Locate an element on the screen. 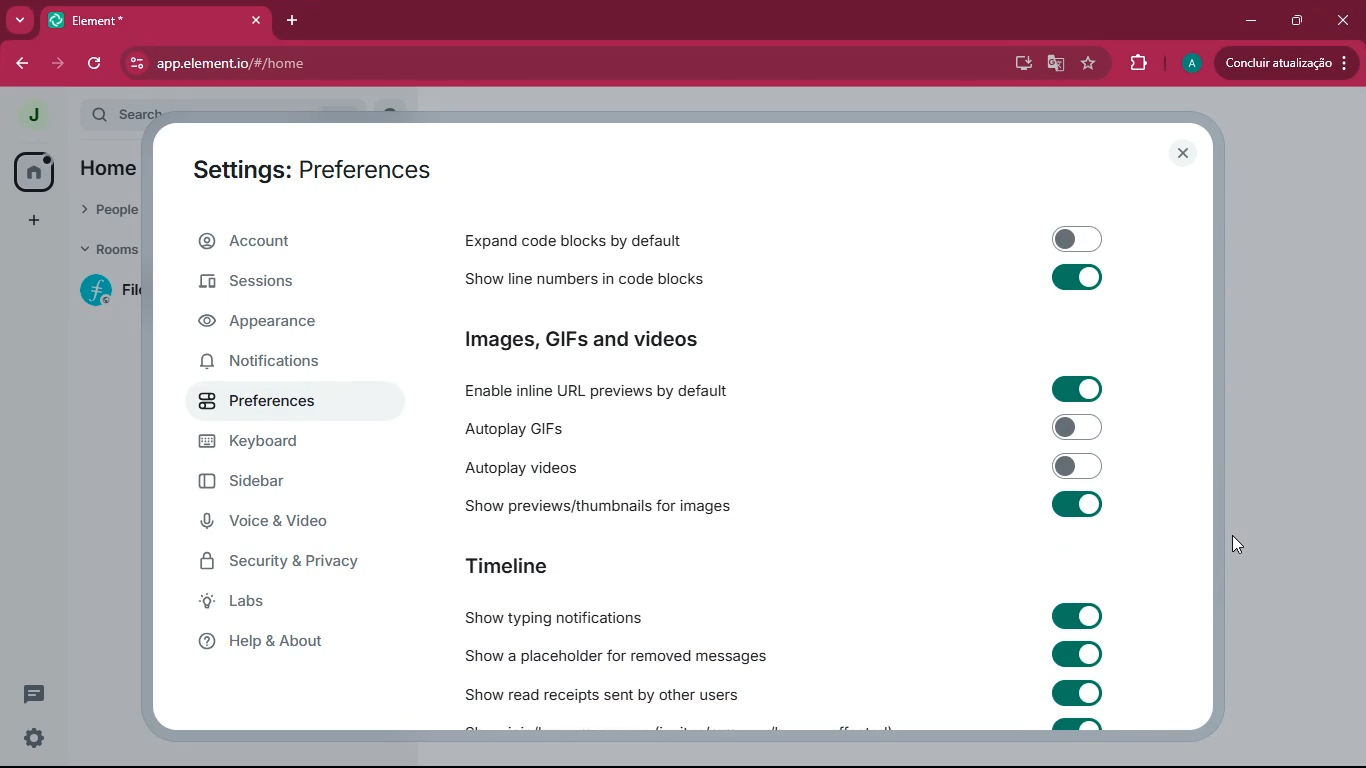 The width and height of the screenshot is (1366, 768). labs is located at coordinates (270, 603).